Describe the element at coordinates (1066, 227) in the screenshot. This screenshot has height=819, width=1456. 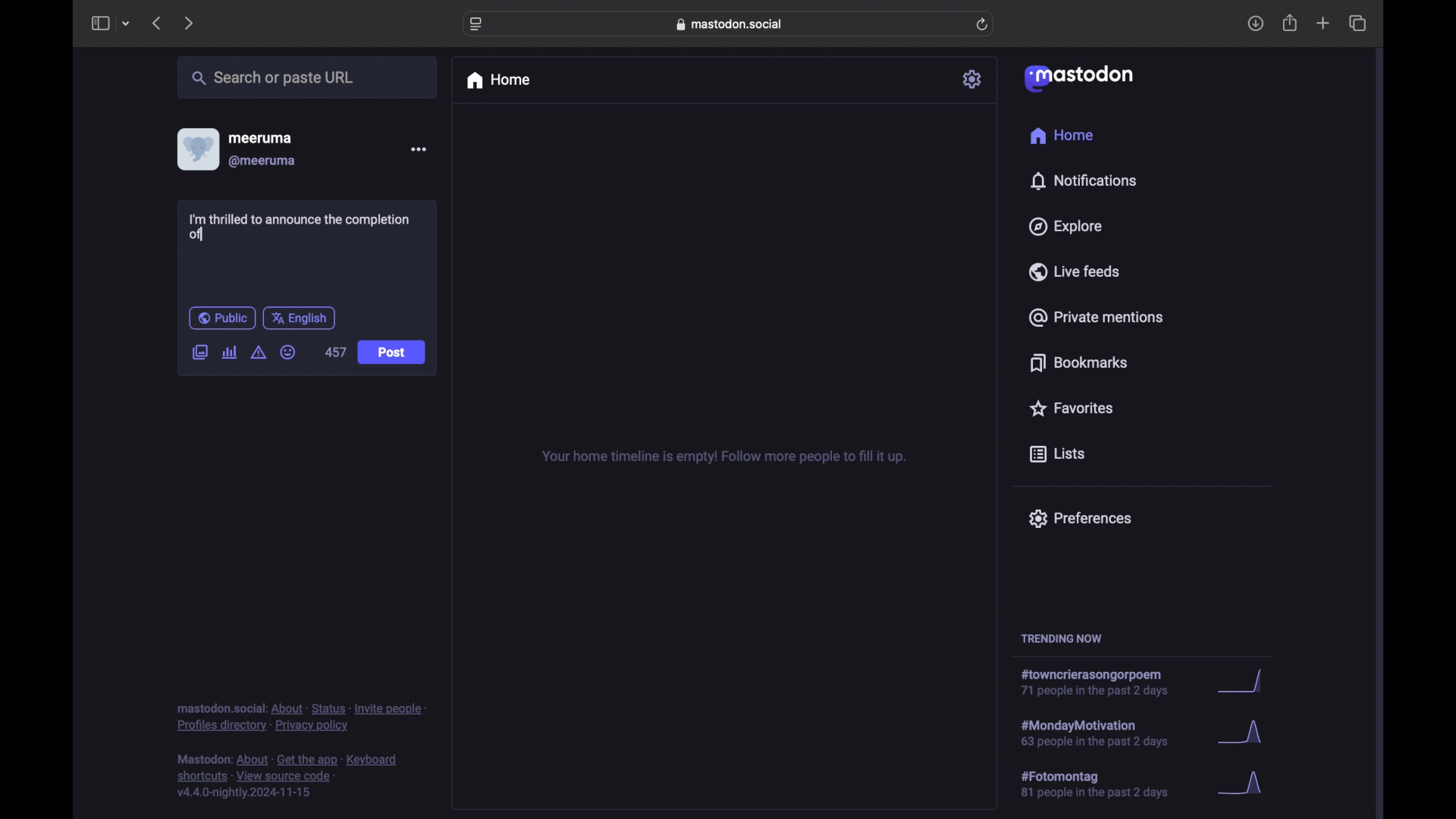
I see `explore` at that location.